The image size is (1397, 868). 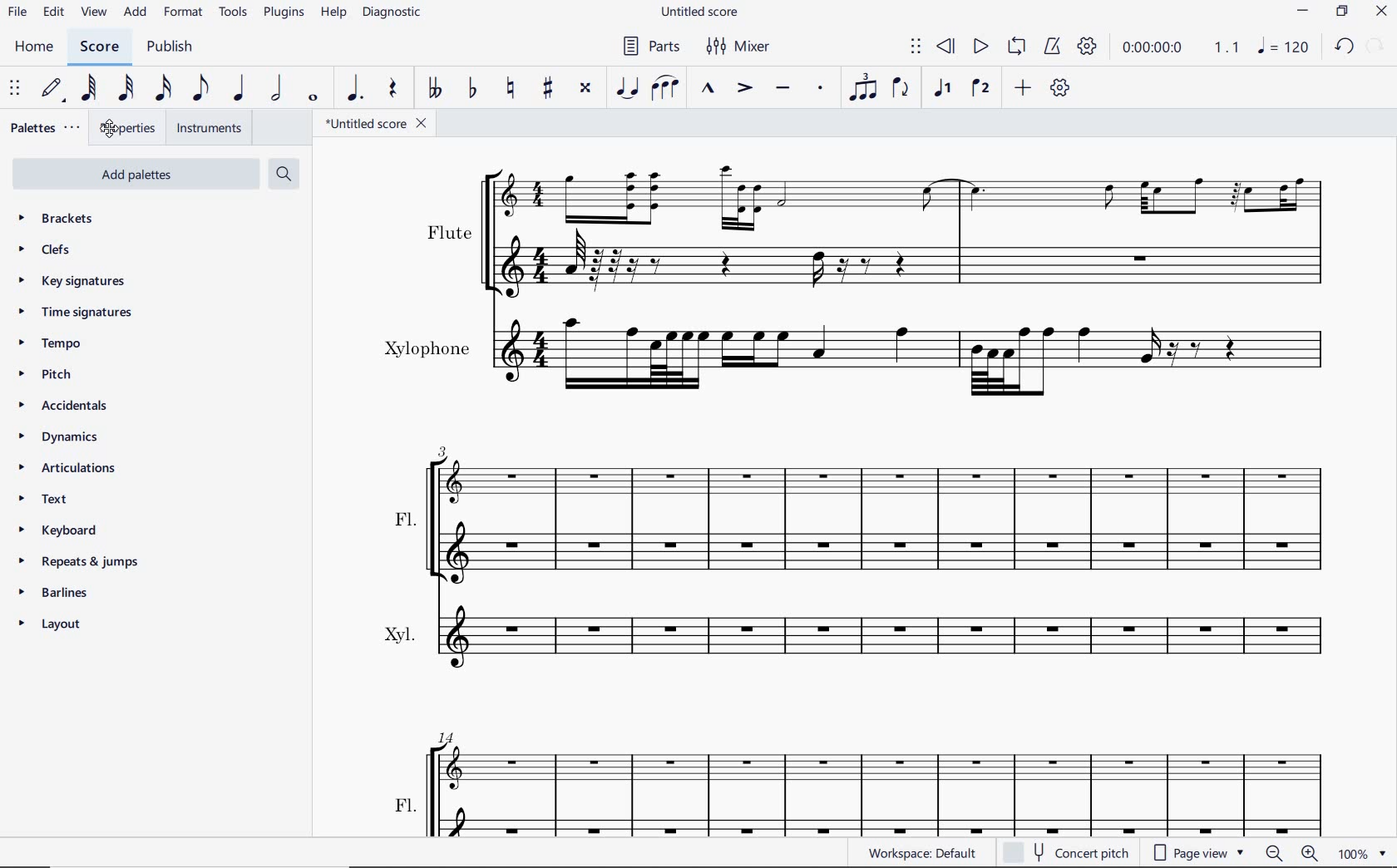 I want to click on PUBLISH, so click(x=170, y=47).